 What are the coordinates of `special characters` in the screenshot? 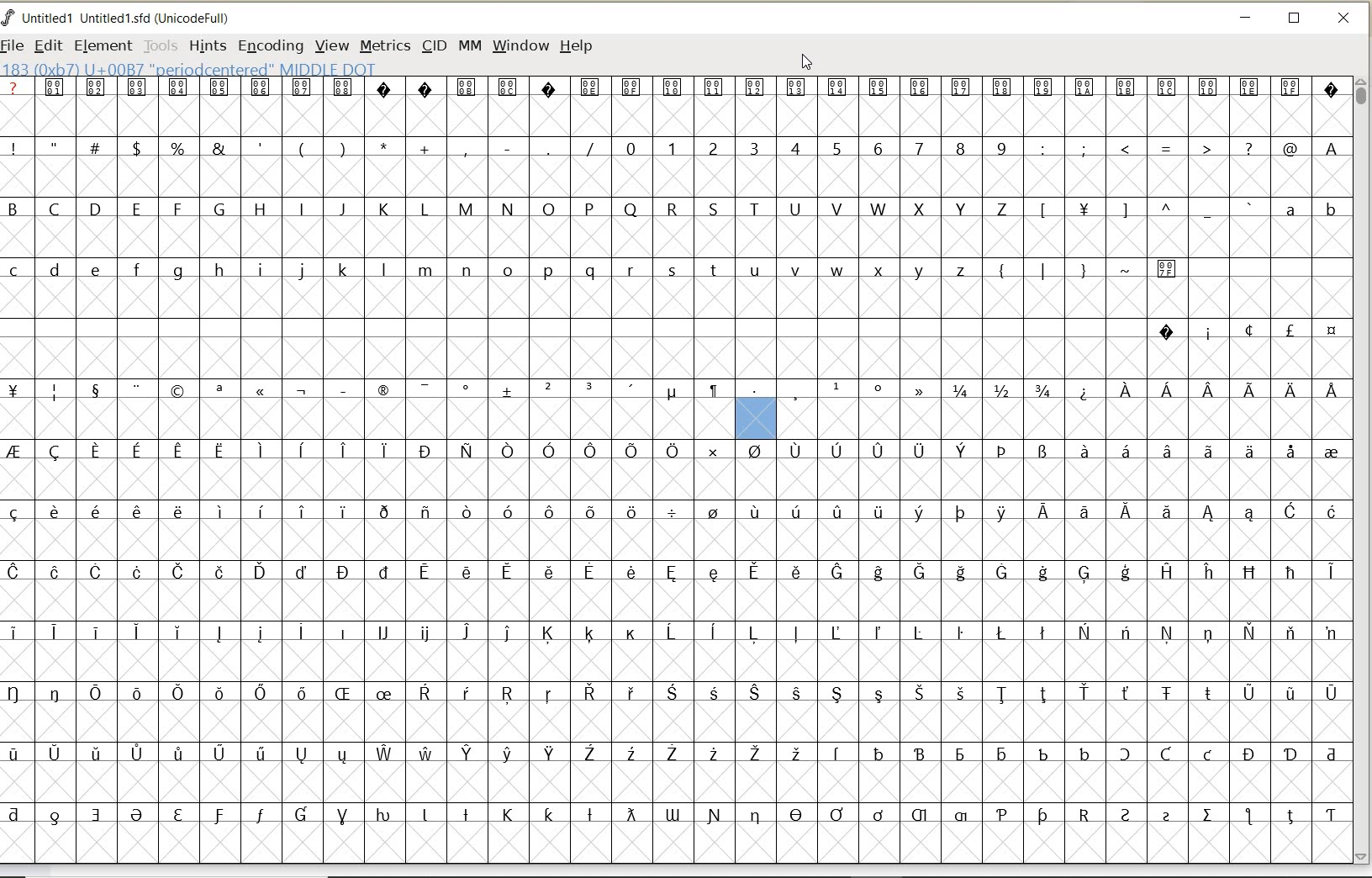 It's located at (673, 636).